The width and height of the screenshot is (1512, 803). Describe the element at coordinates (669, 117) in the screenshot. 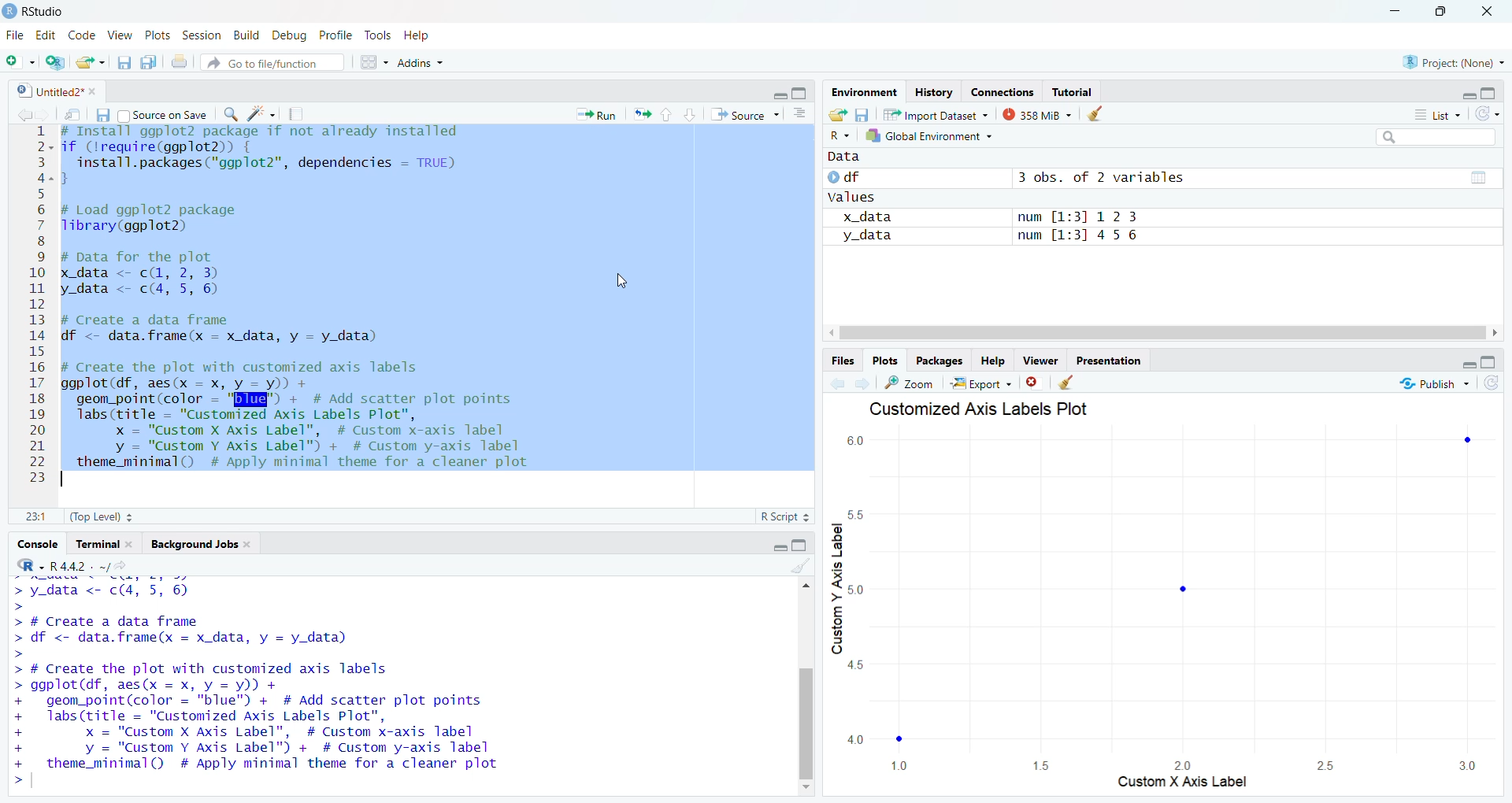

I see `upward` at that location.